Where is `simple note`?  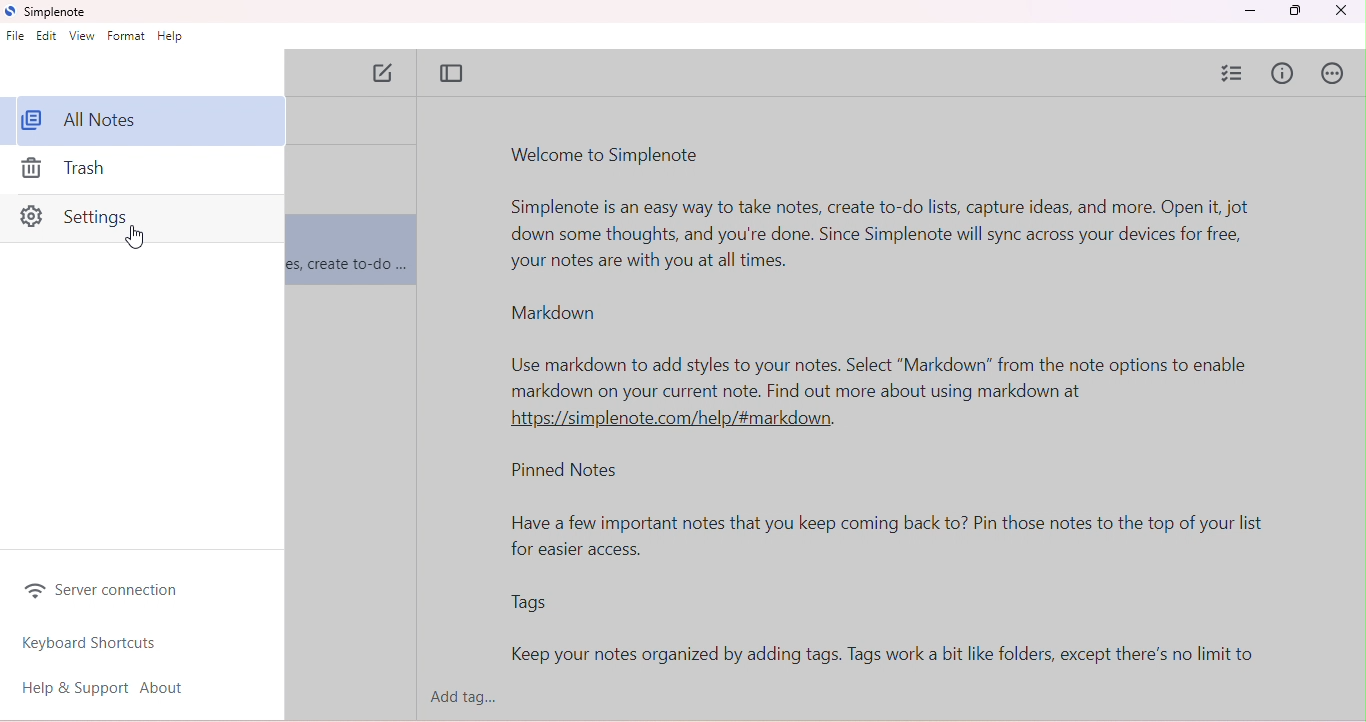
simple note is located at coordinates (50, 12).